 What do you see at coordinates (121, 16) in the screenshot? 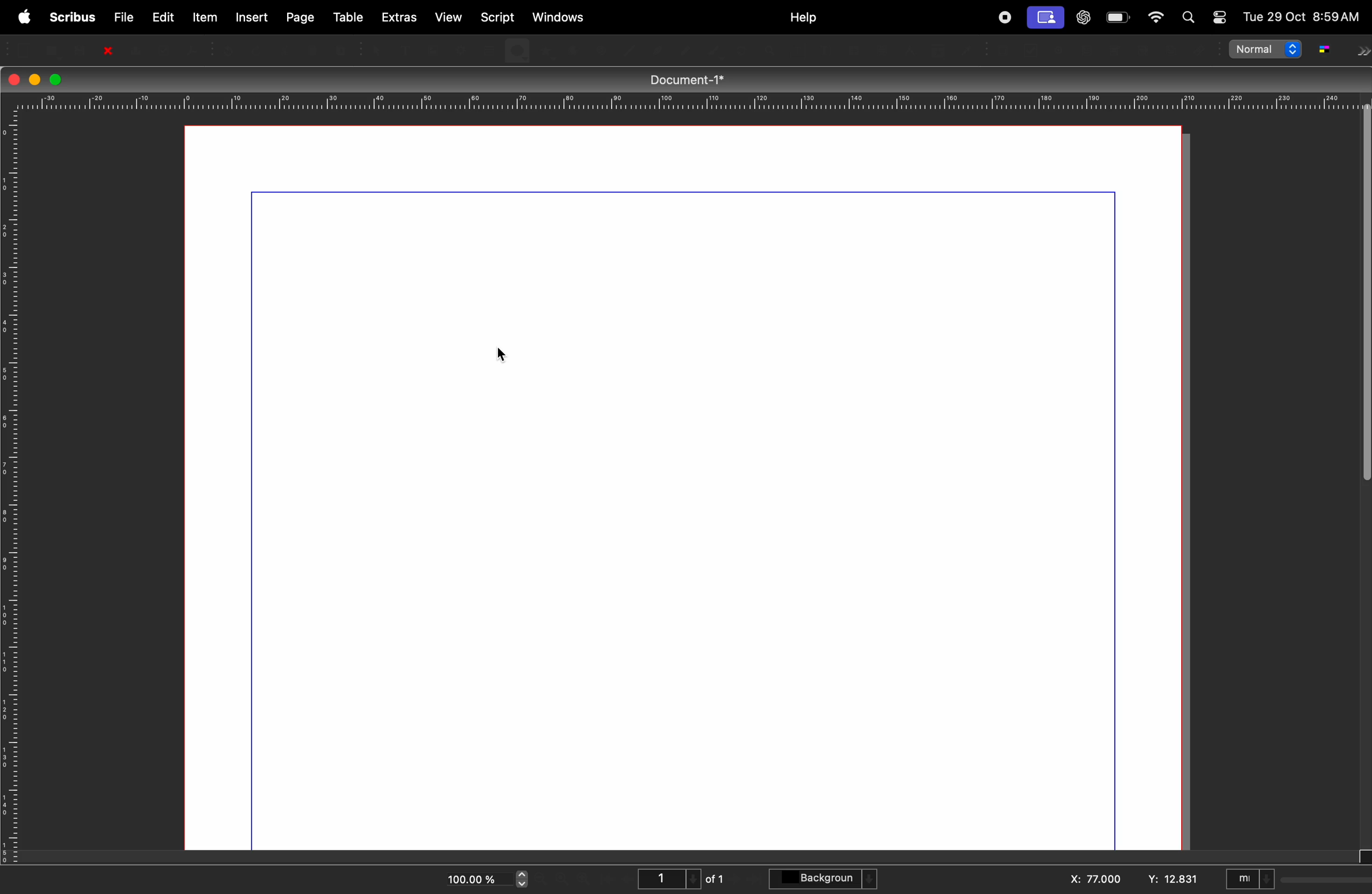
I see `file` at bounding box center [121, 16].